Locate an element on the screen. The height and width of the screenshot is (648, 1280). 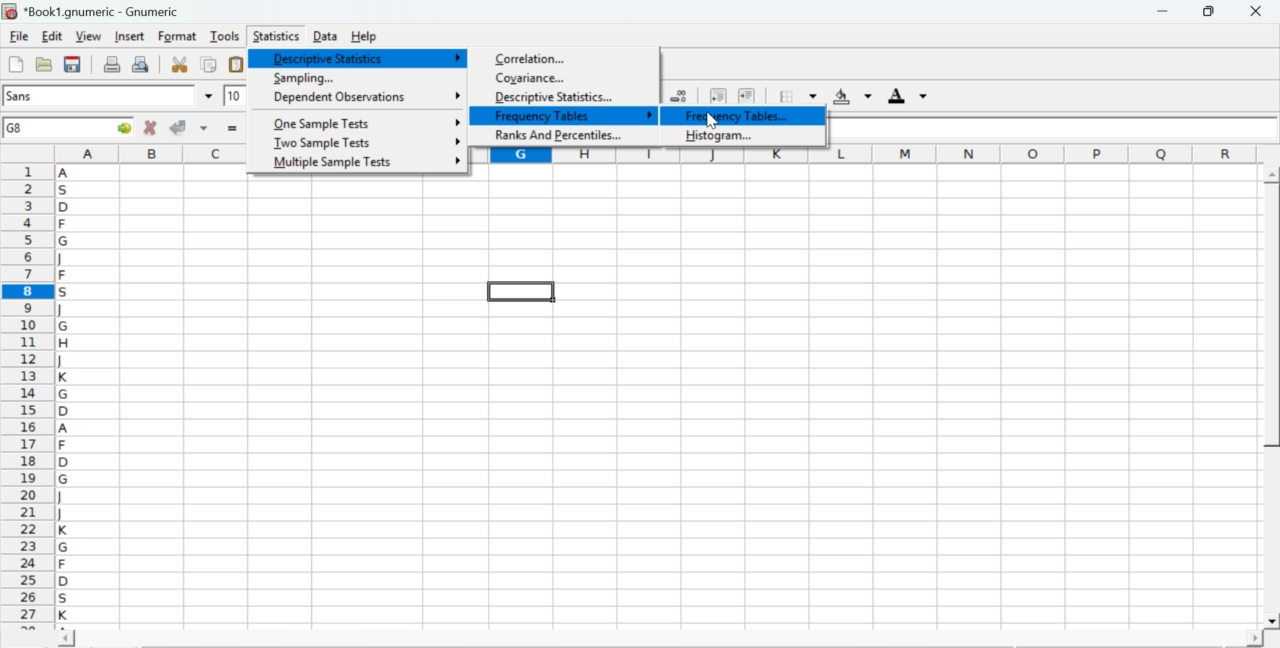
restore down is located at coordinates (1210, 12).